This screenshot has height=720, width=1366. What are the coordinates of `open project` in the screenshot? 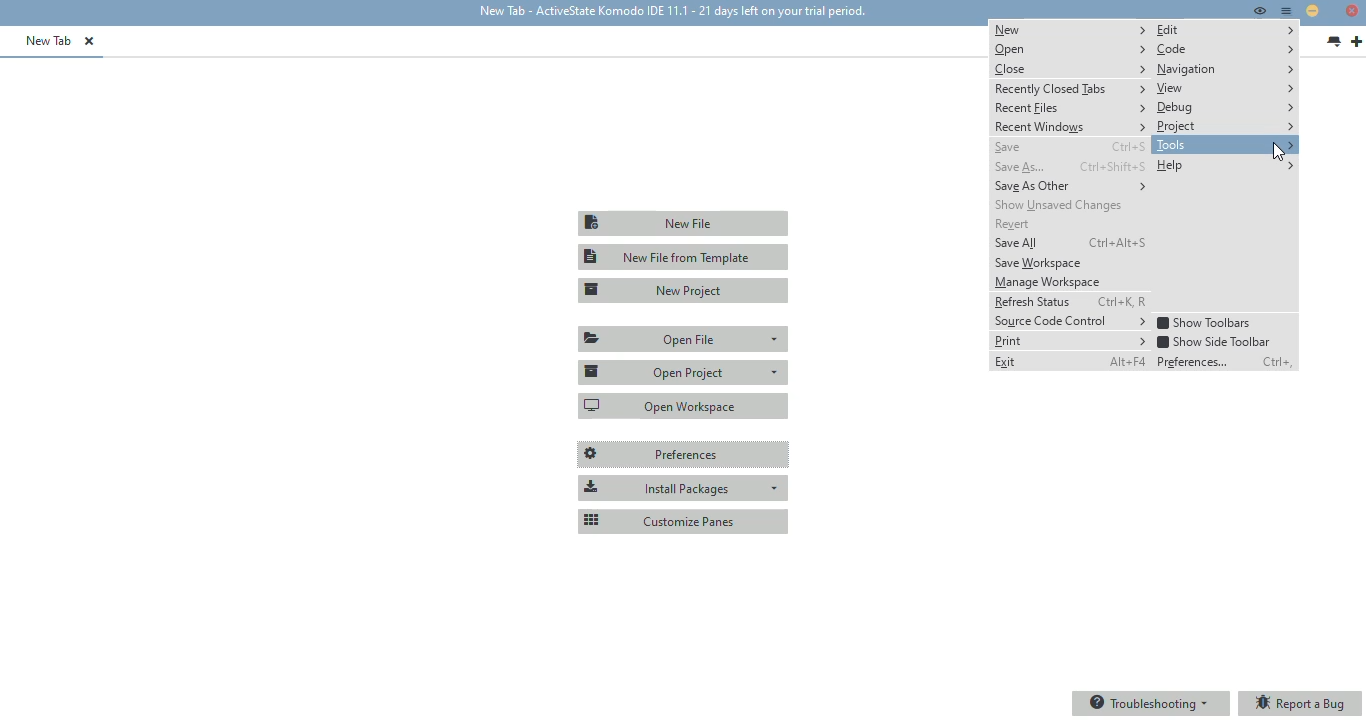 It's located at (683, 371).